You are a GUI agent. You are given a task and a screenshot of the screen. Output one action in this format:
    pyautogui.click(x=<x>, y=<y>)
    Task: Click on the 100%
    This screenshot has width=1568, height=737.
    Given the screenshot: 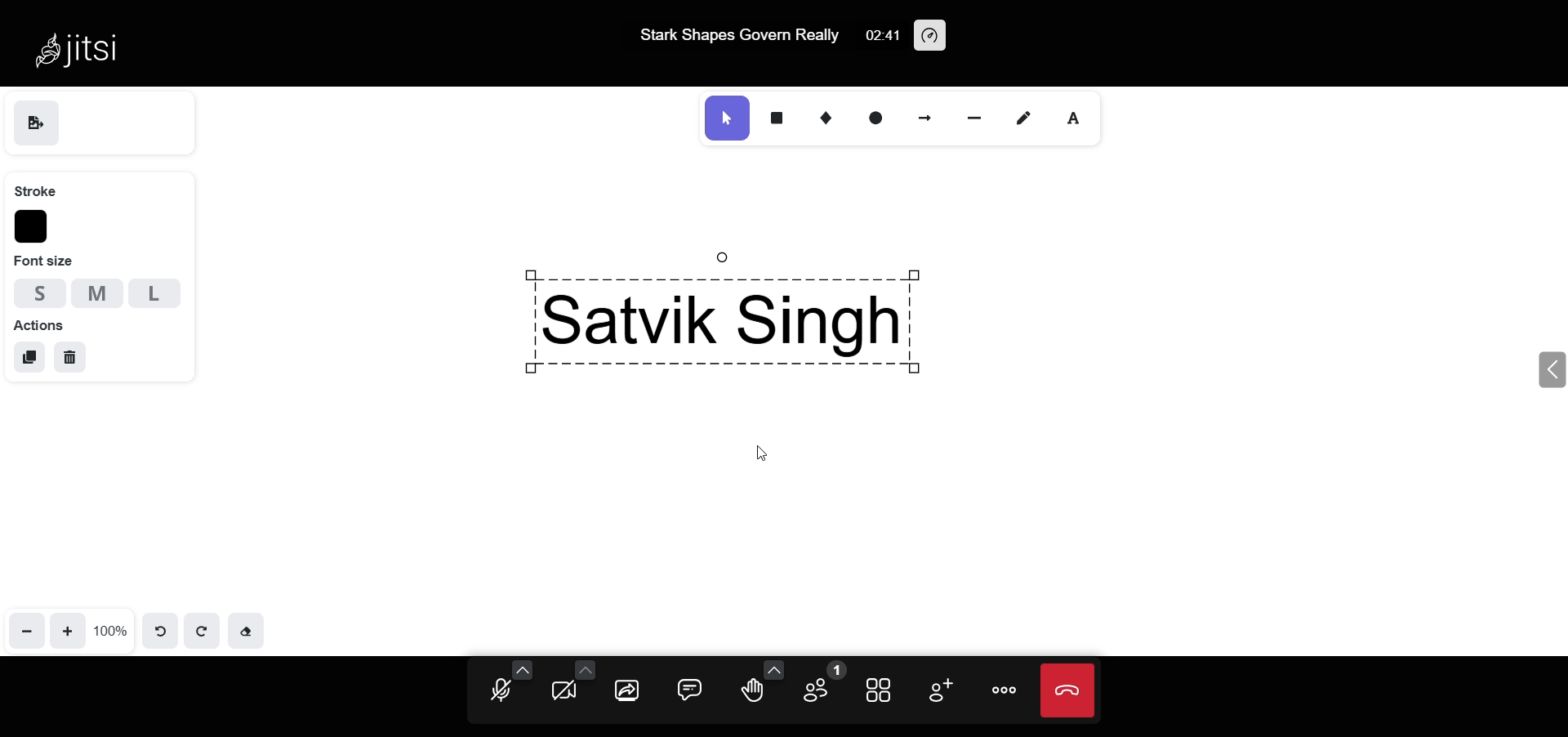 What is the action you would take?
    pyautogui.click(x=111, y=630)
    